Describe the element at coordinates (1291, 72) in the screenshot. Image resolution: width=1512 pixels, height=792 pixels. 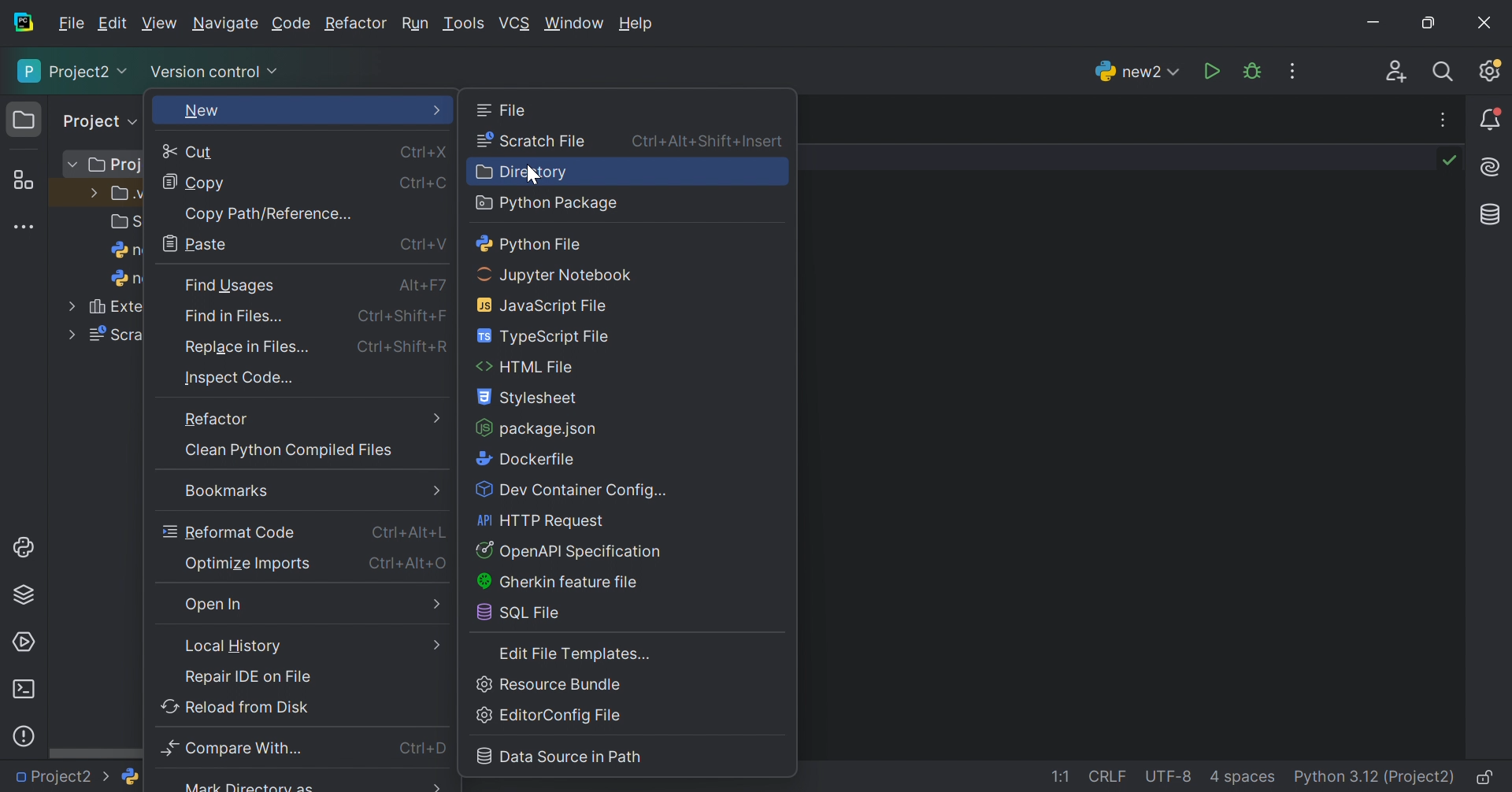
I see `More actions` at that location.